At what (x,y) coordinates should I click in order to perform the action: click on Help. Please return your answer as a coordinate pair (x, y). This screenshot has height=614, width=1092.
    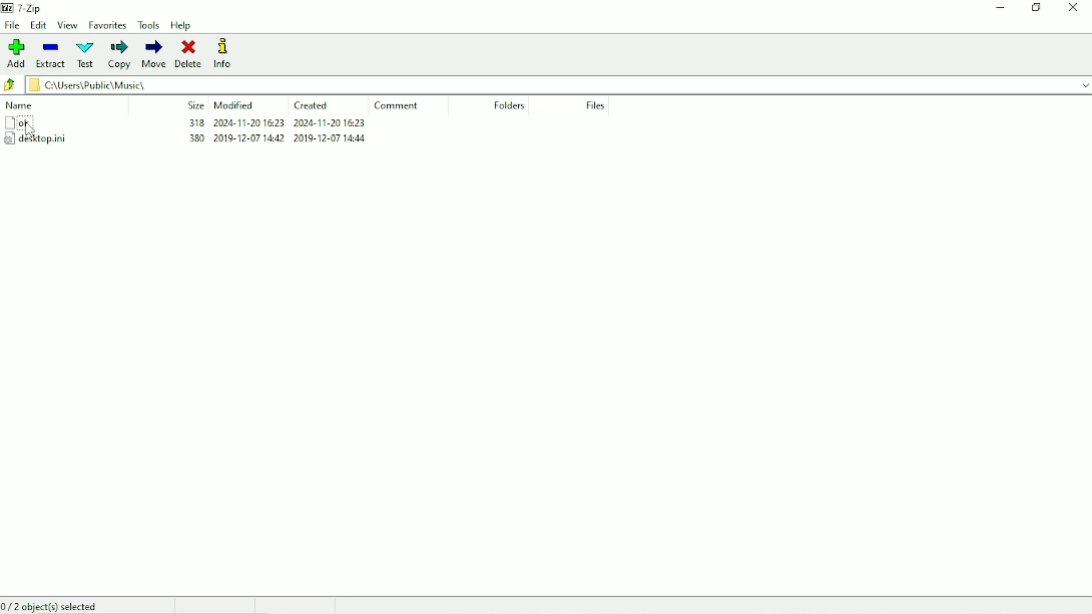
    Looking at the image, I should click on (182, 25).